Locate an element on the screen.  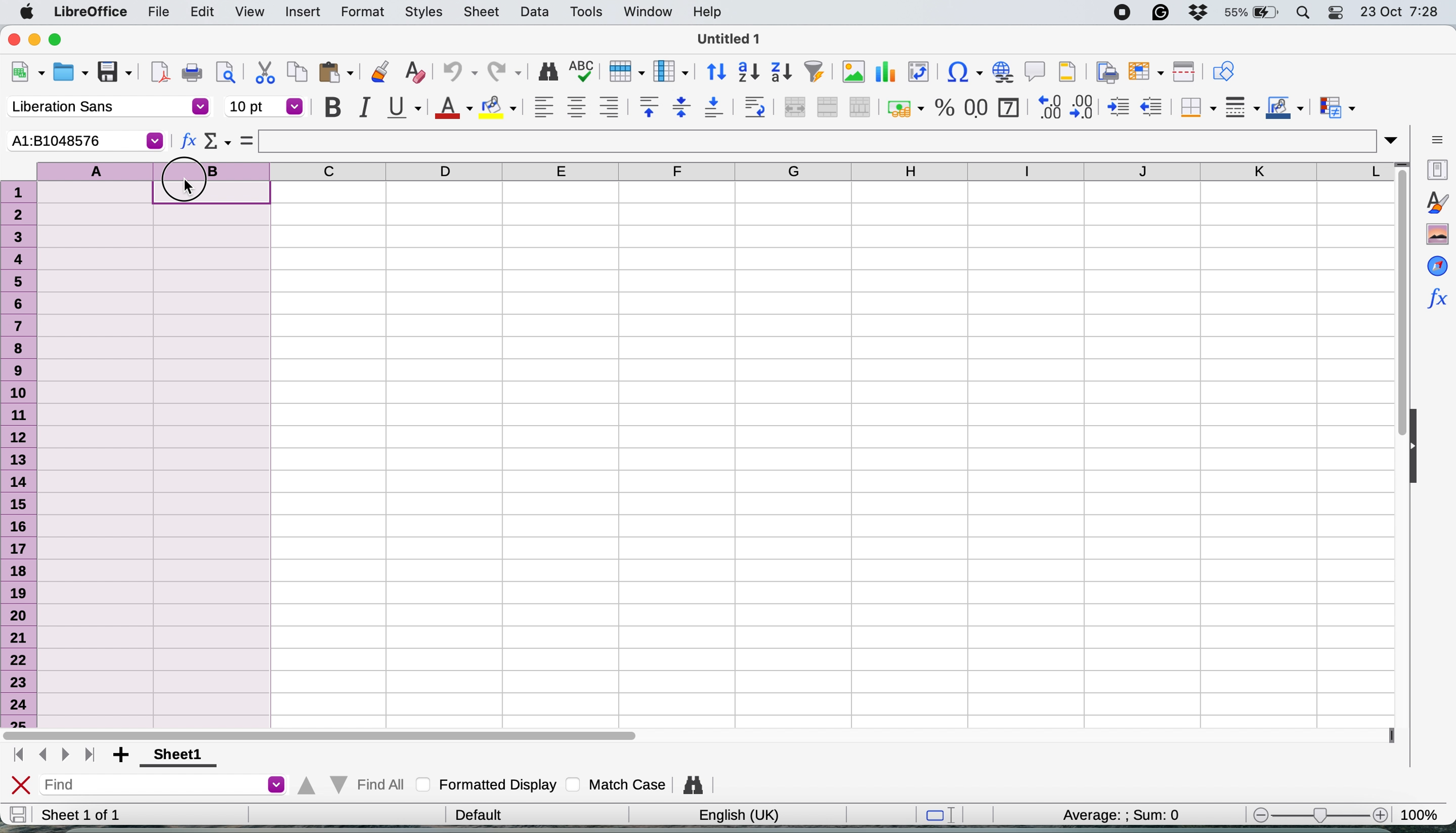
file is located at coordinates (157, 11).